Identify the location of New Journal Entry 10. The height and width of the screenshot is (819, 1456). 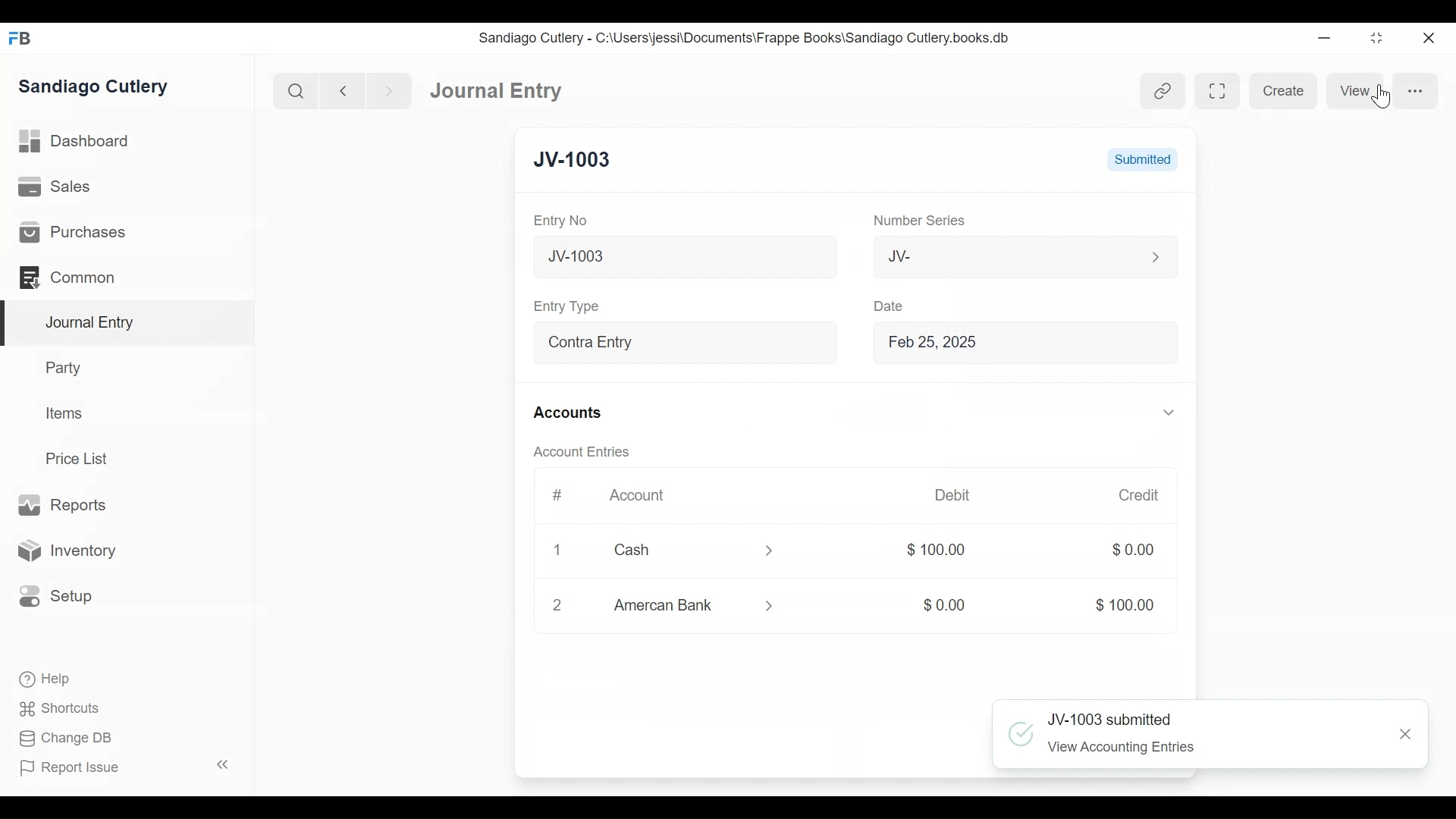
(682, 256).